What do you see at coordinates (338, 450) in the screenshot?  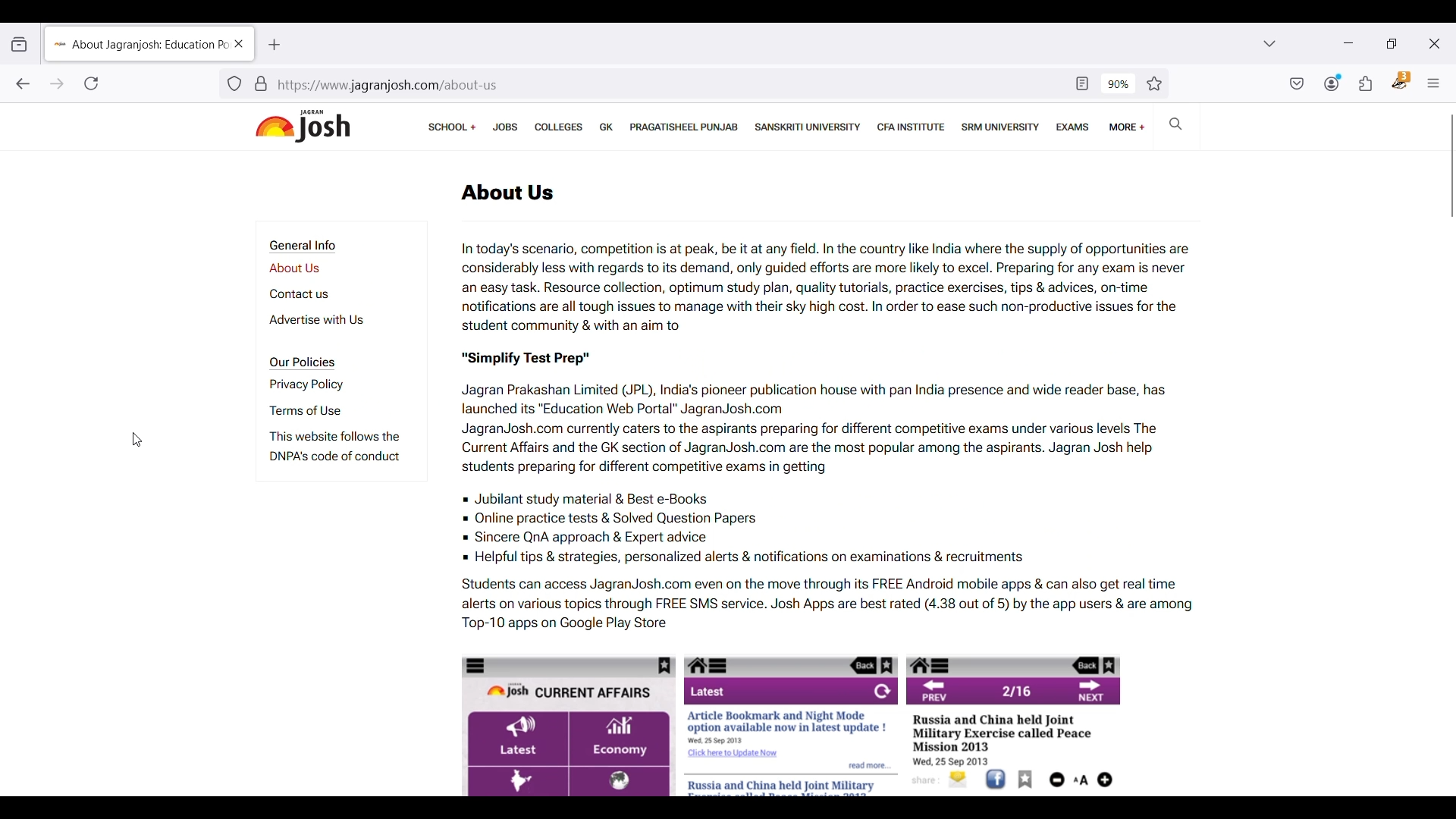 I see `This website follows the
DNPA's code of conduct` at bounding box center [338, 450].